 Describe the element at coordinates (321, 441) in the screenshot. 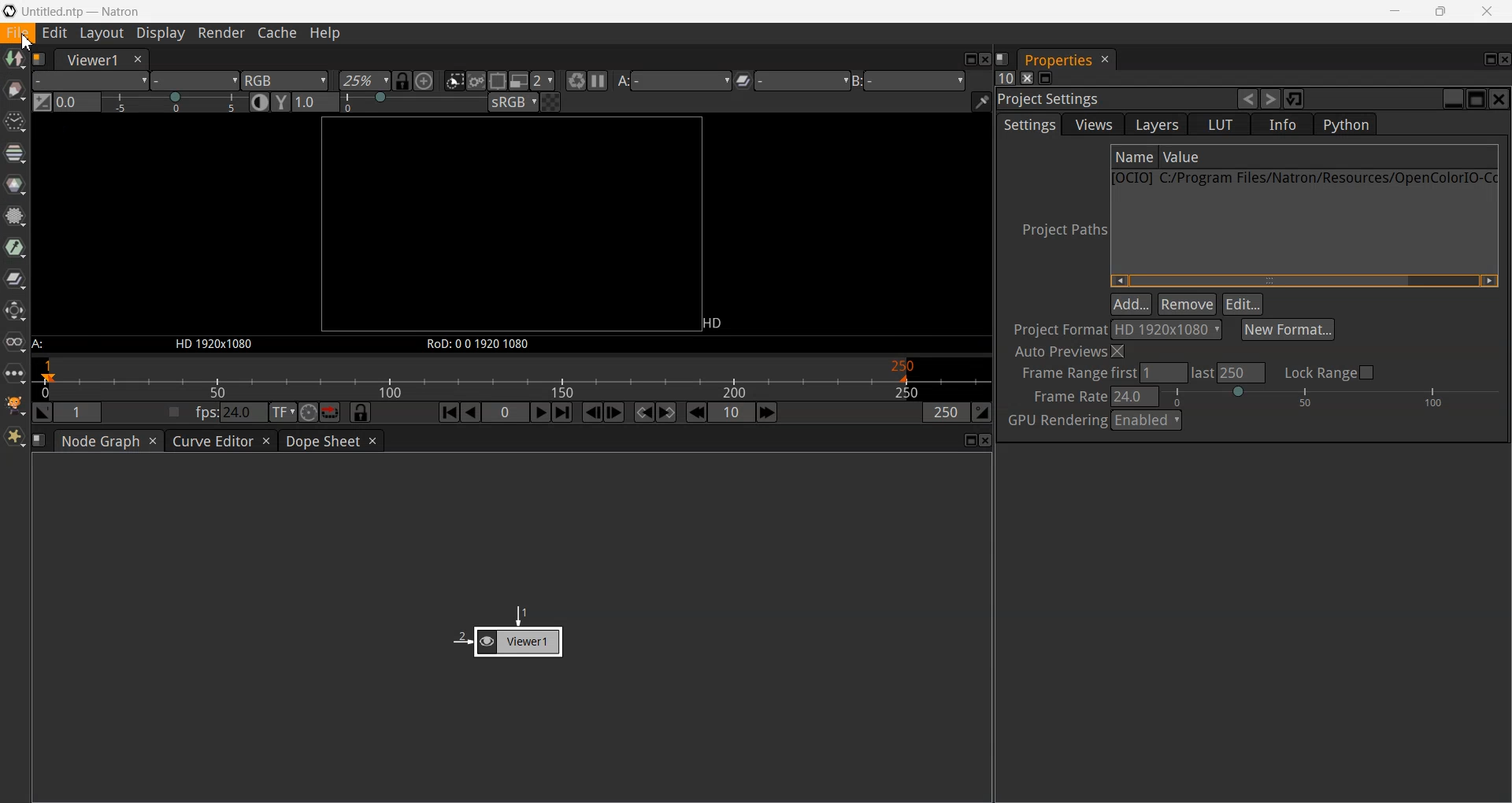

I see `Dope Sheet` at that location.